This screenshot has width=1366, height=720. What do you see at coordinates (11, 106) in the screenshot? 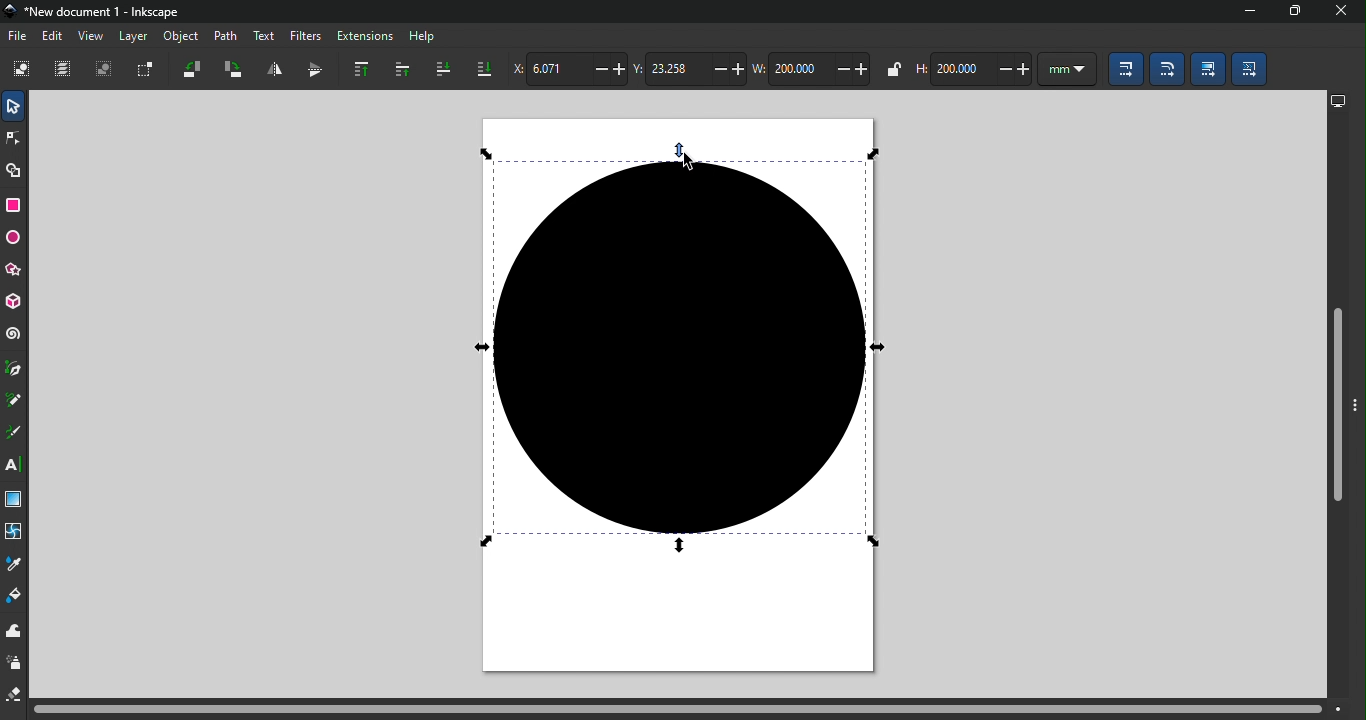
I see `Selector tool` at bounding box center [11, 106].